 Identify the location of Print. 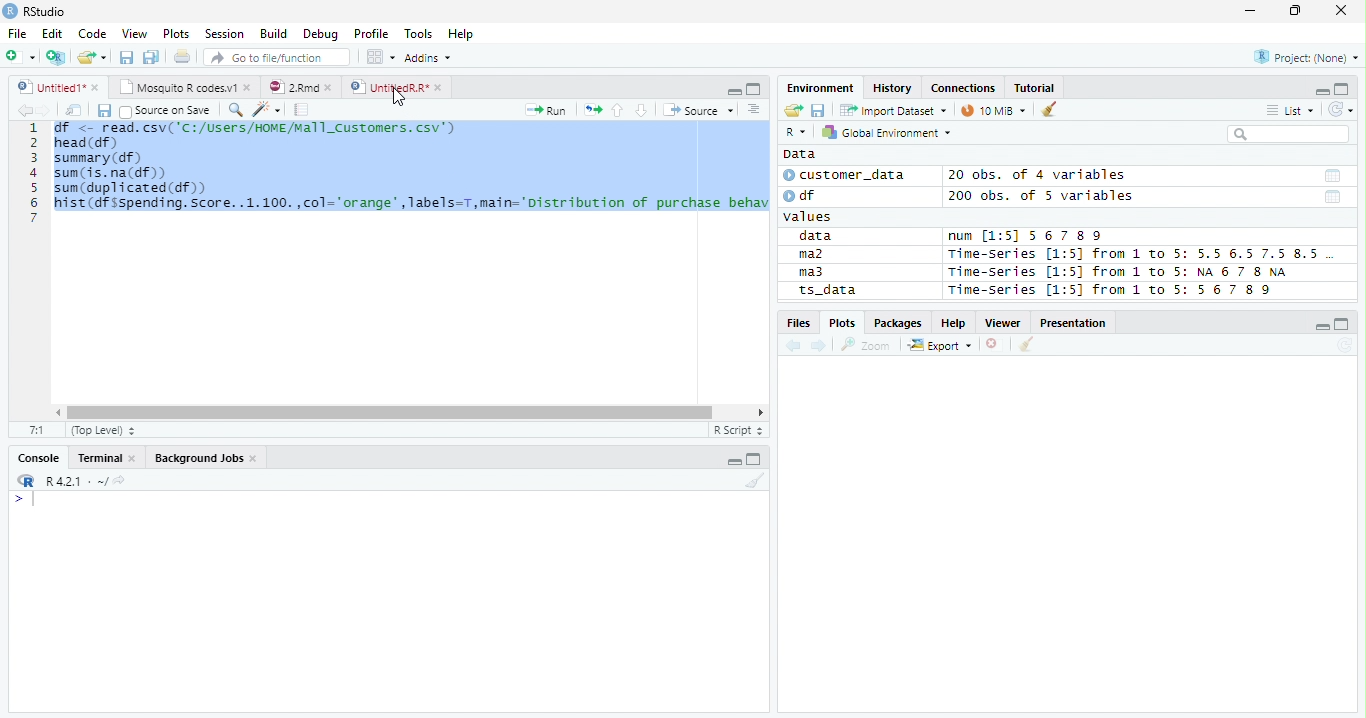
(181, 57).